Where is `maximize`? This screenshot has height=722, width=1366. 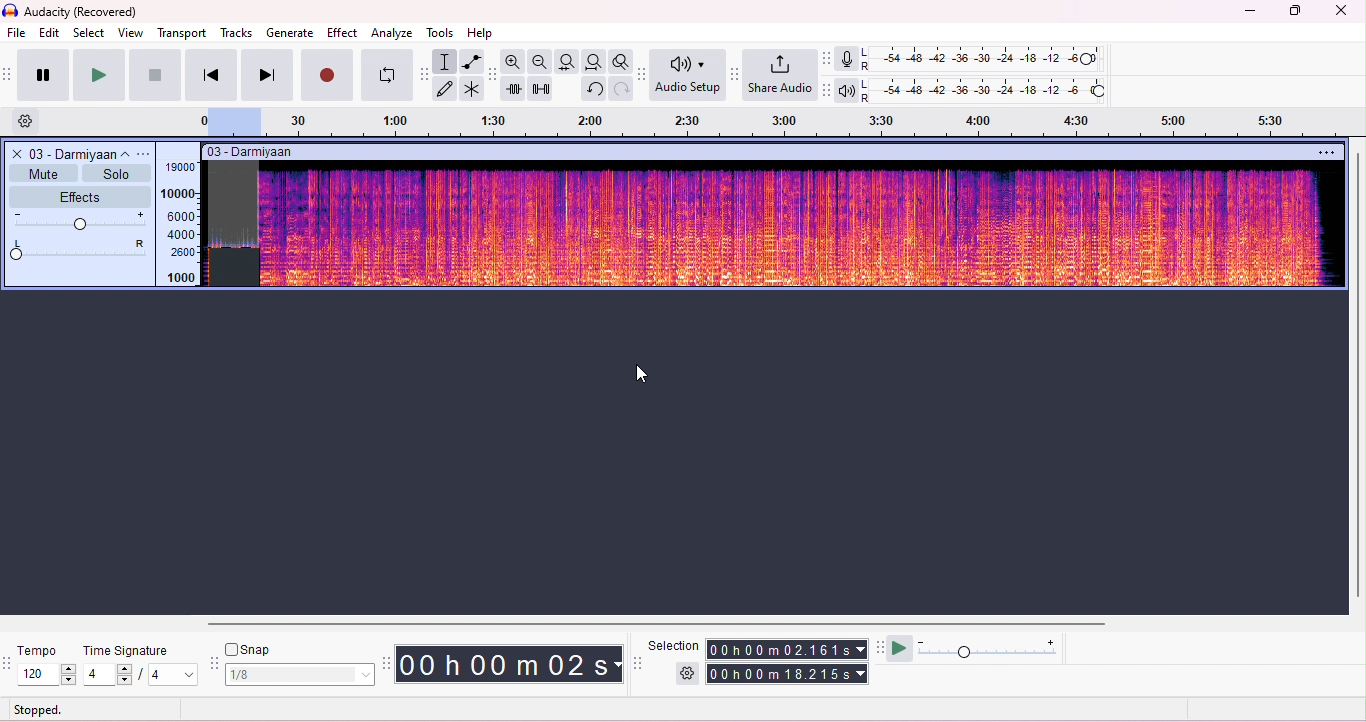
maximize is located at coordinates (1294, 13).